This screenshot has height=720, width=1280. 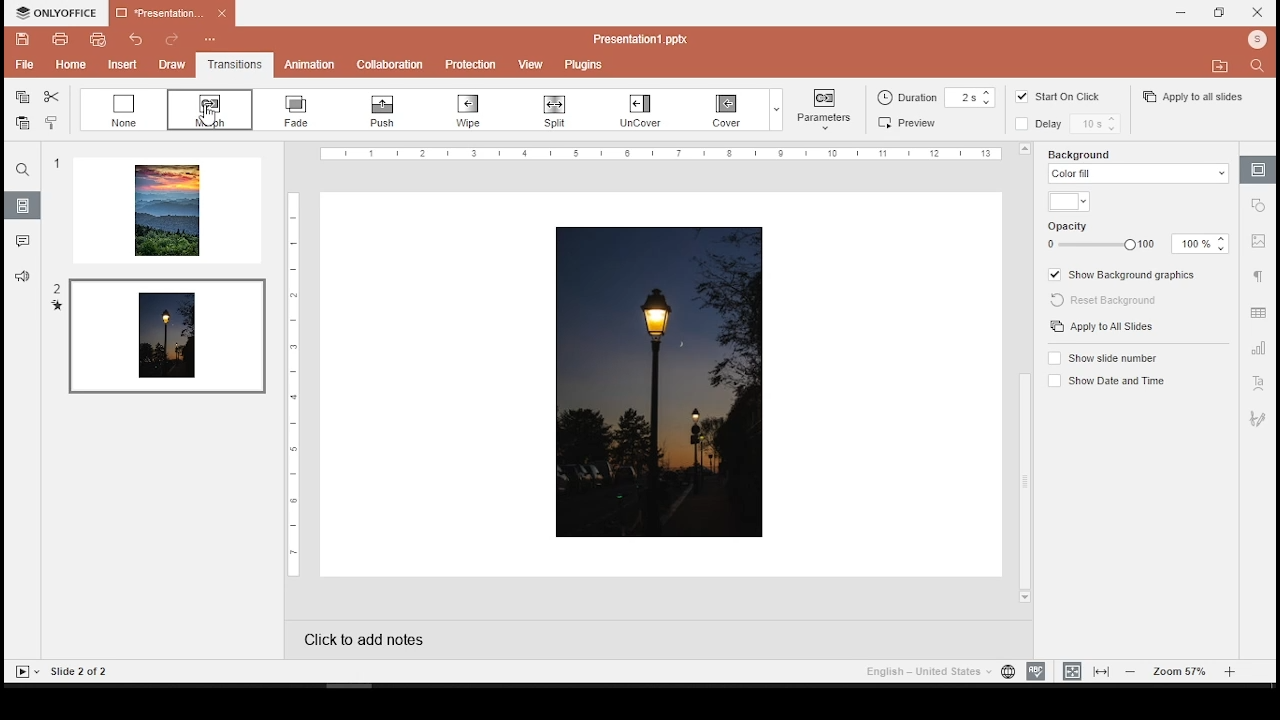 I want to click on opacity, so click(x=1137, y=243).